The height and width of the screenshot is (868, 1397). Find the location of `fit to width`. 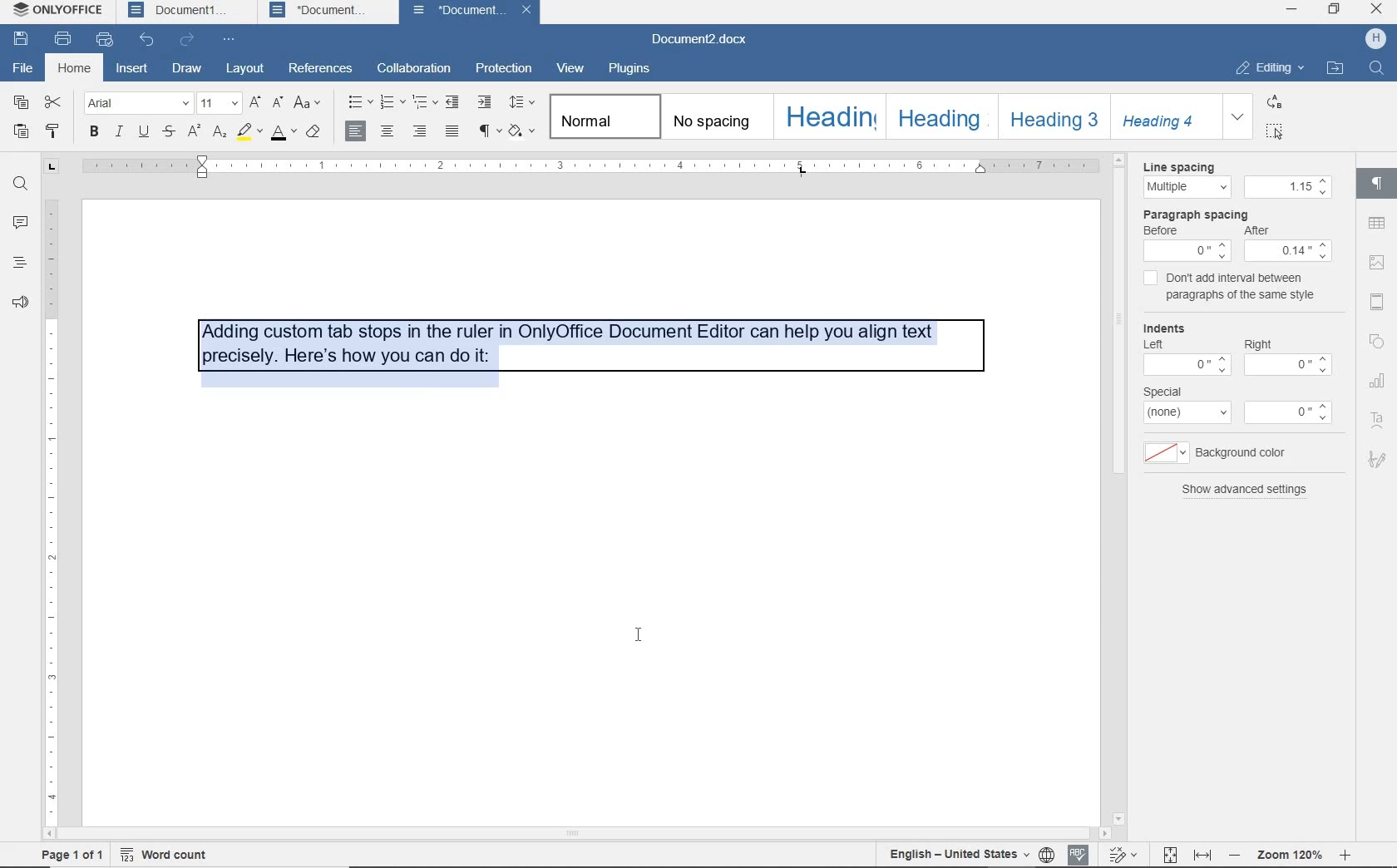

fit to width is located at coordinates (1202, 852).